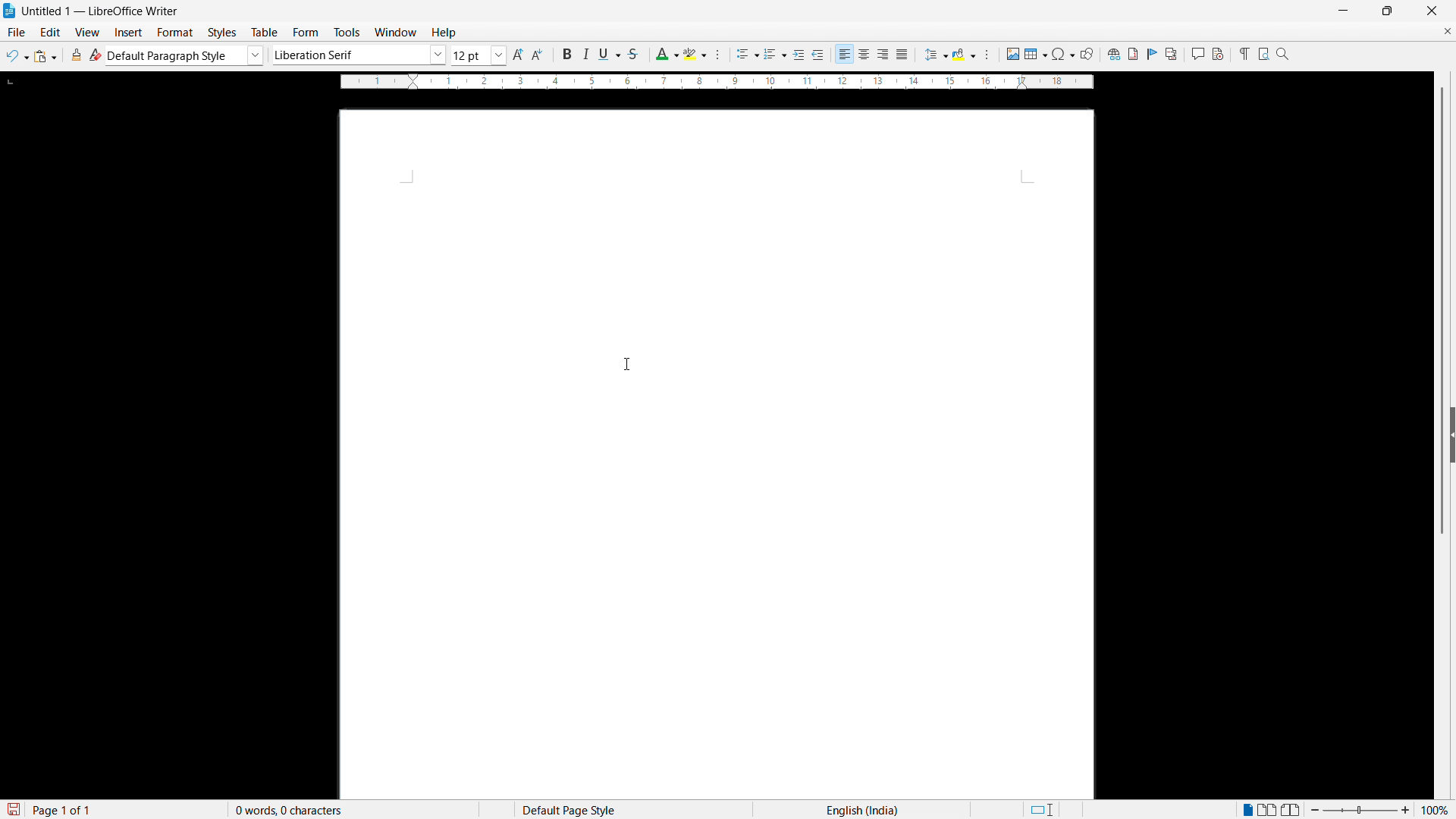 The height and width of the screenshot is (819, 1456). I want to click on Format , so click(175, 32).